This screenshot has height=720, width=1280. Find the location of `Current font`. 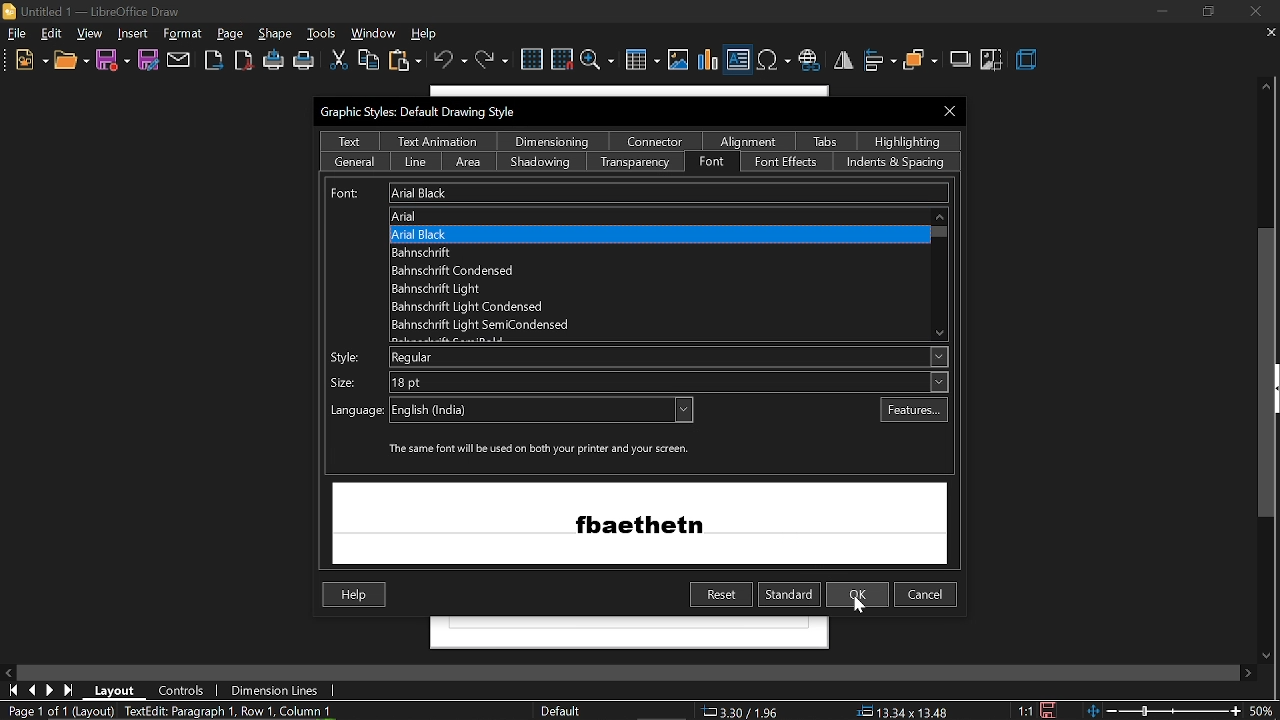

Current font is located at coordinates (634, 192).